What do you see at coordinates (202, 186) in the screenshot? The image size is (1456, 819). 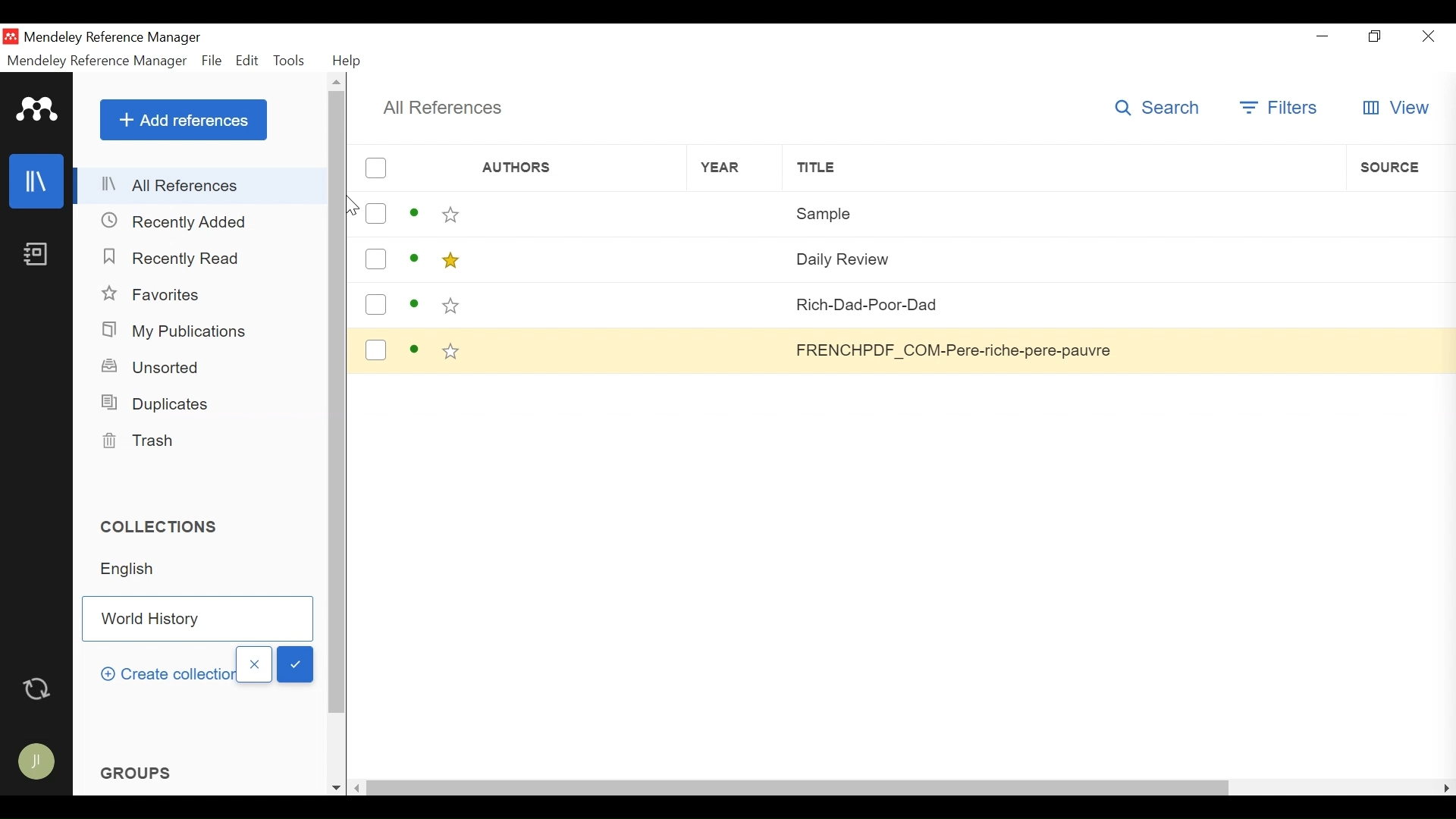 I see `Alll References` at bounding box center [202, 186].